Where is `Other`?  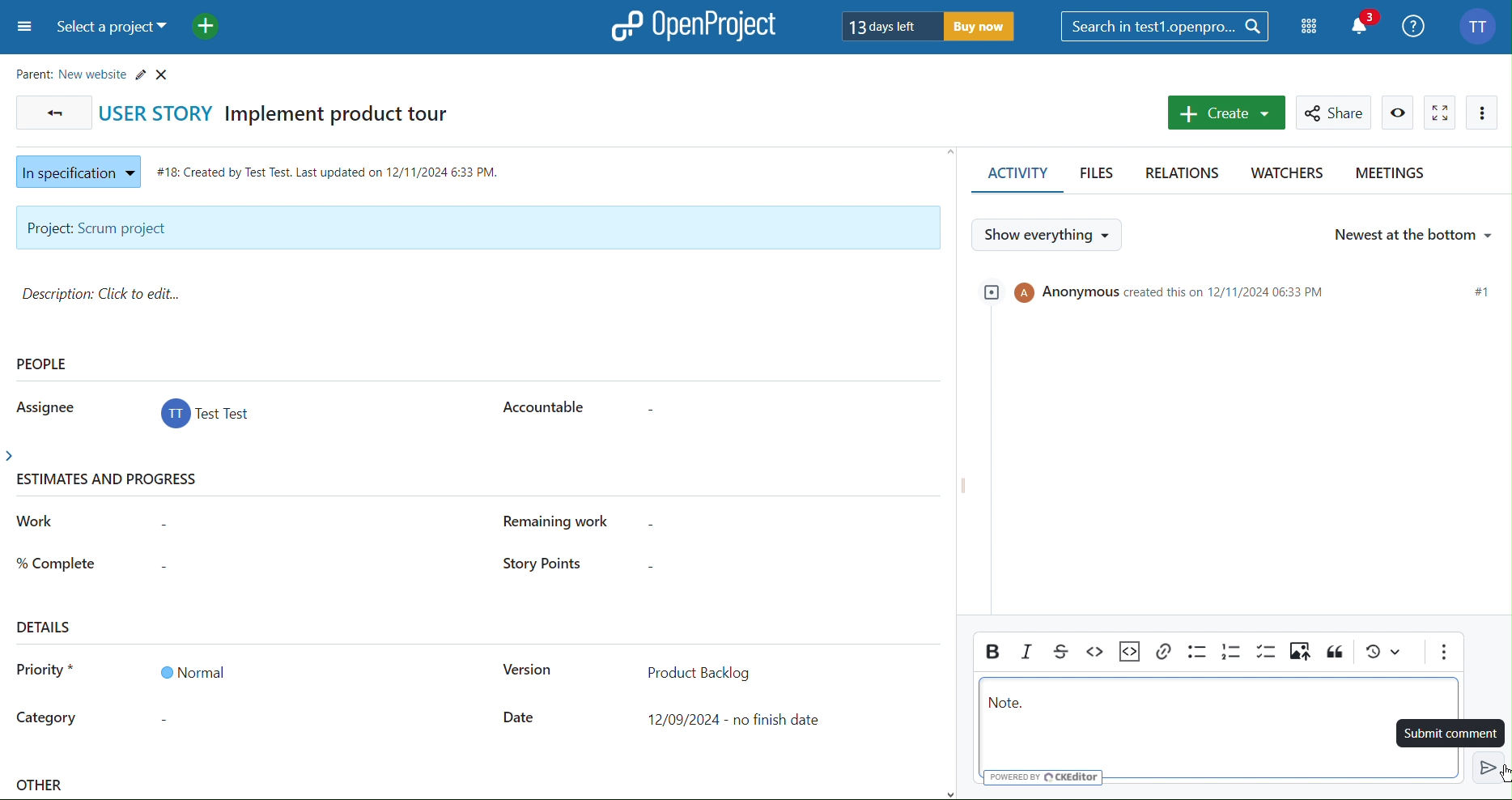
Other is located at coordinates (42, 787).